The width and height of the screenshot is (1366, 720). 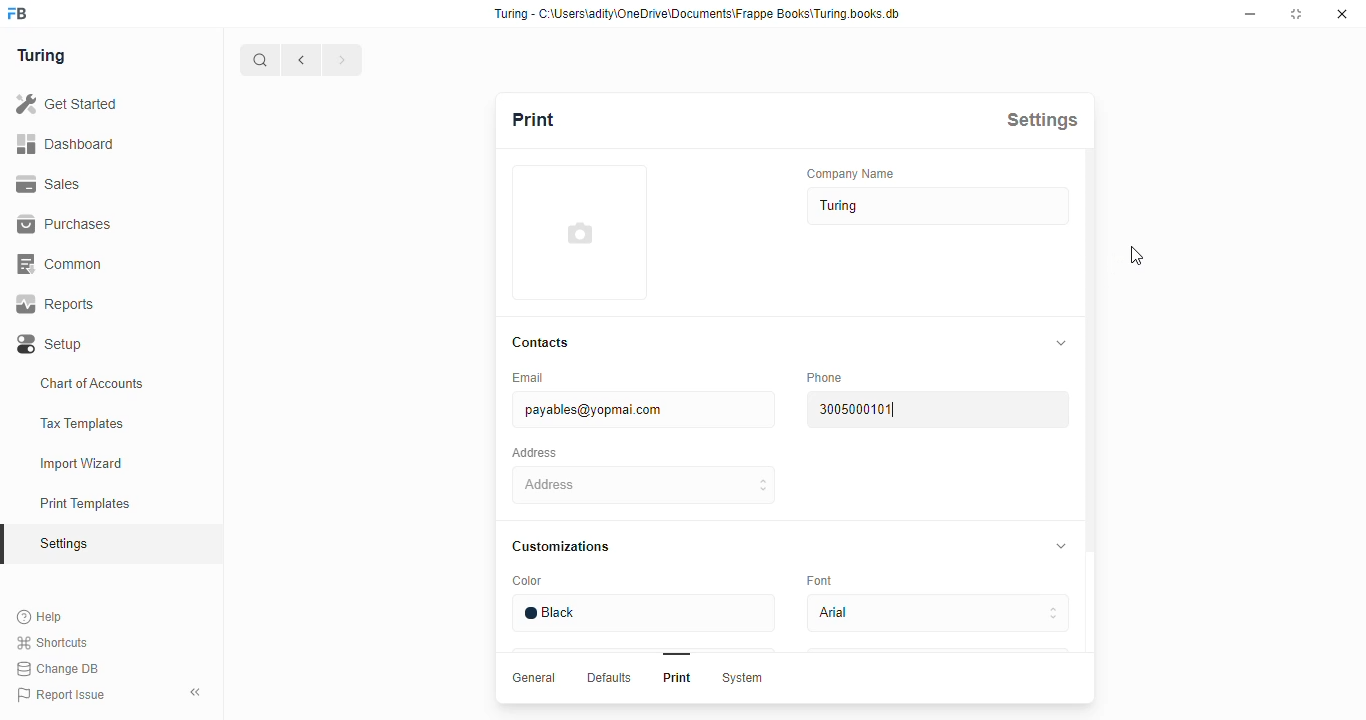 I want to click on Phone, so click(x=829, y=377).